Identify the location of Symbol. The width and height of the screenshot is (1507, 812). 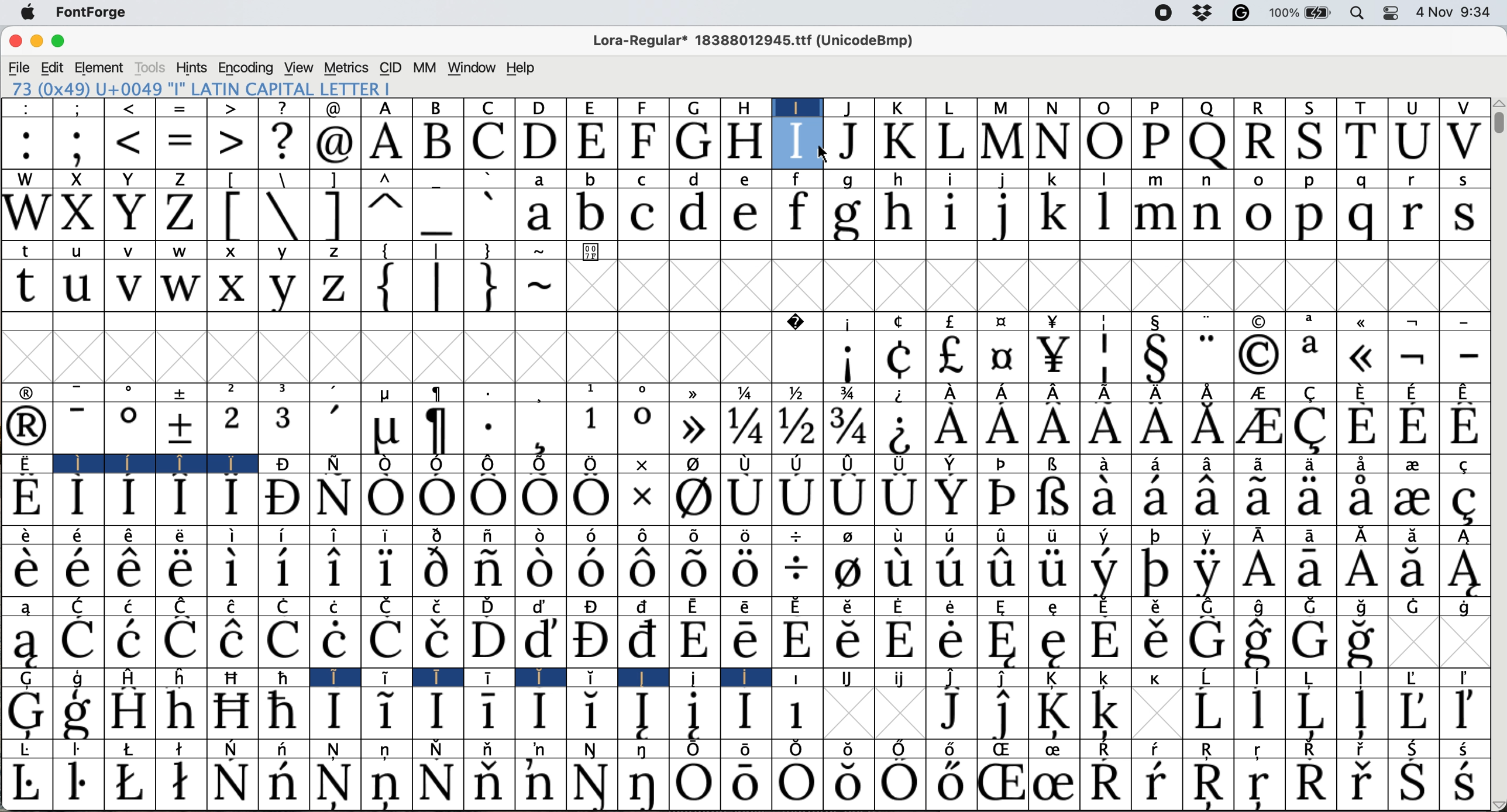
(1106, 679).